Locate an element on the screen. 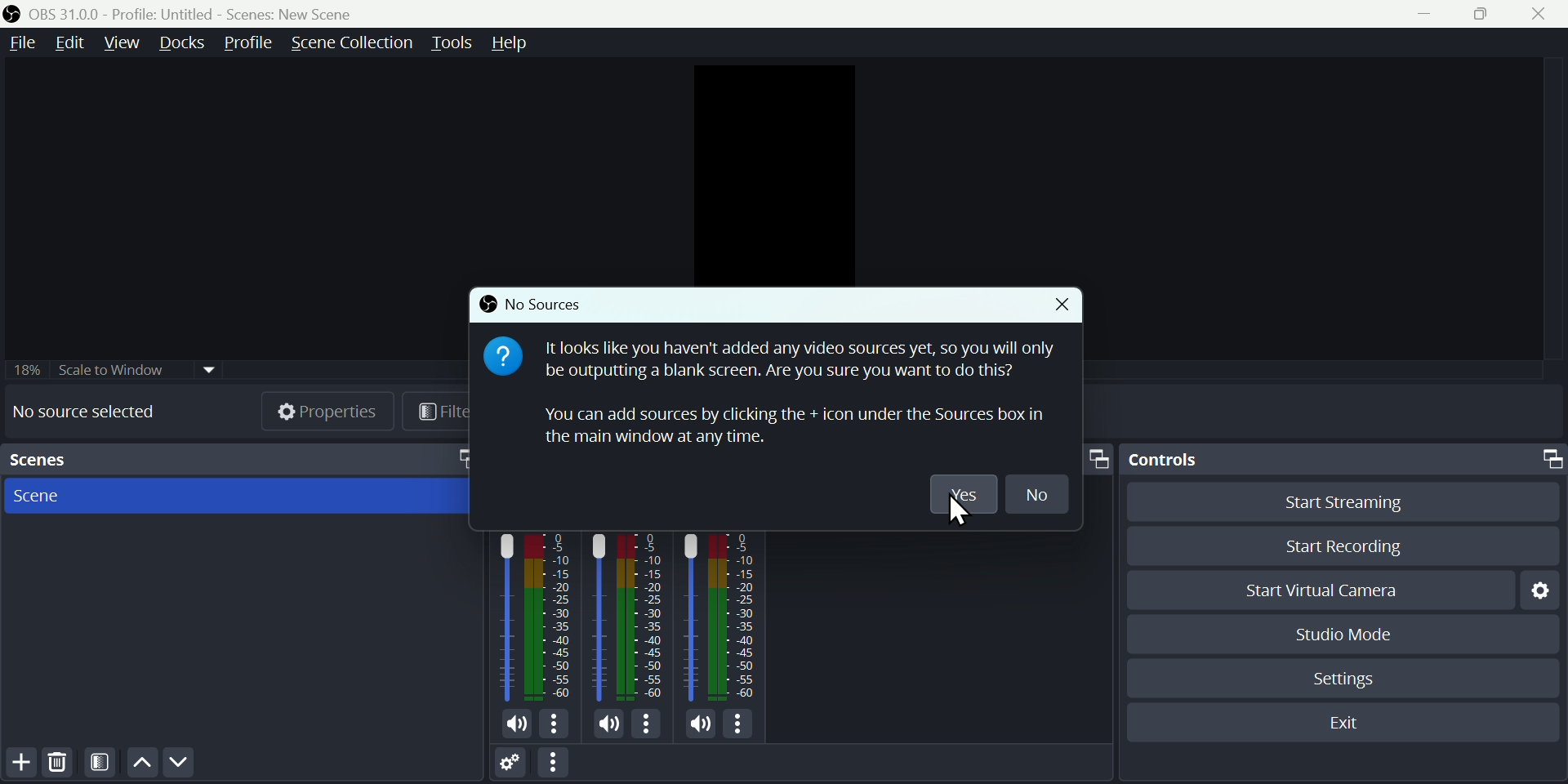 This screenshot has height=784, width=1568. Scene is located at coordinates (46, 497).